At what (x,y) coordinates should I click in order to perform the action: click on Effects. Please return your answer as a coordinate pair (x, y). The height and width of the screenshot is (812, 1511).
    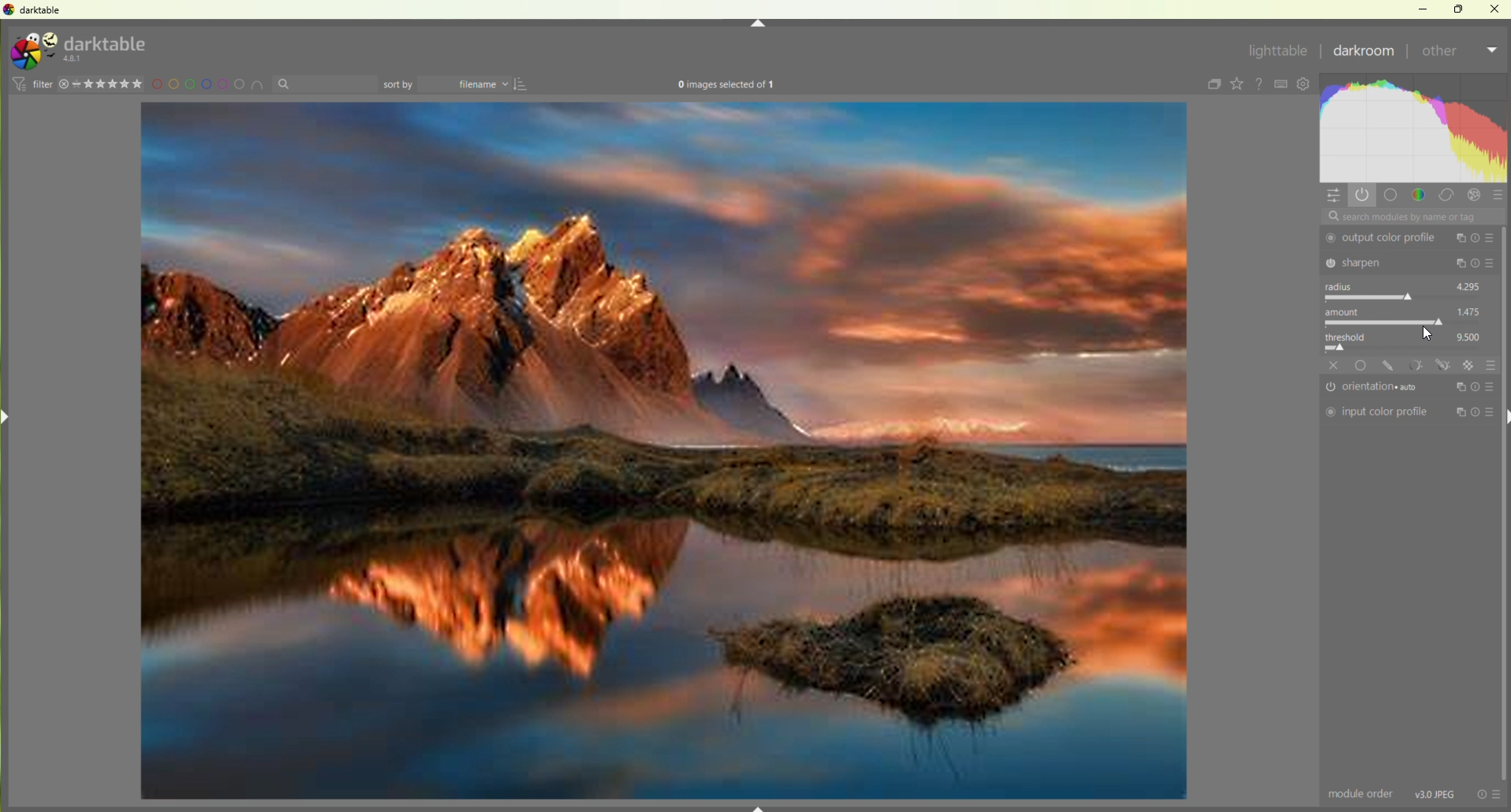
    Looking at the image, I should click on (1470, 365).